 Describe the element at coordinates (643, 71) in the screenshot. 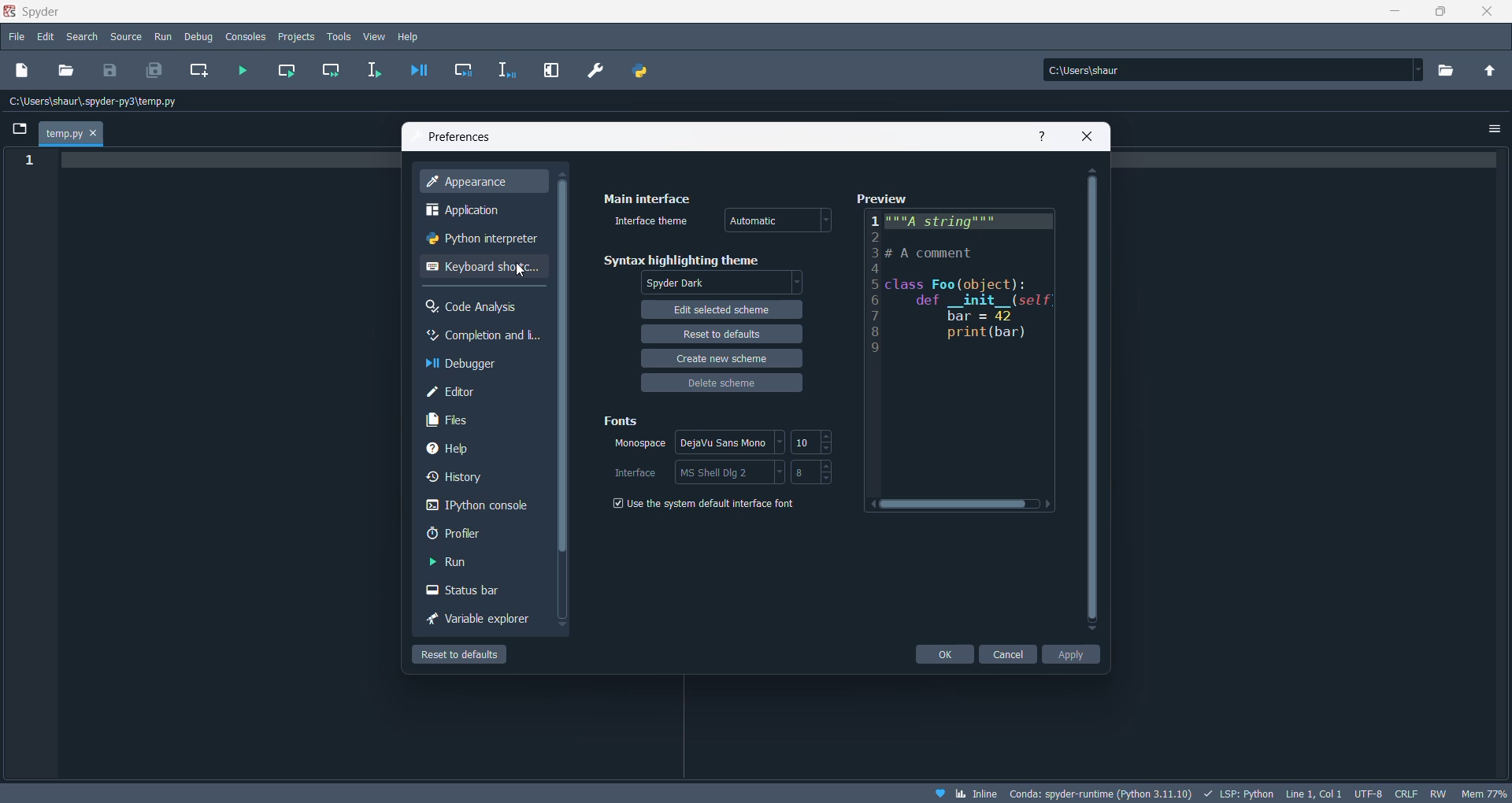

I see `PYTHONPATH MANAGER` at that location.